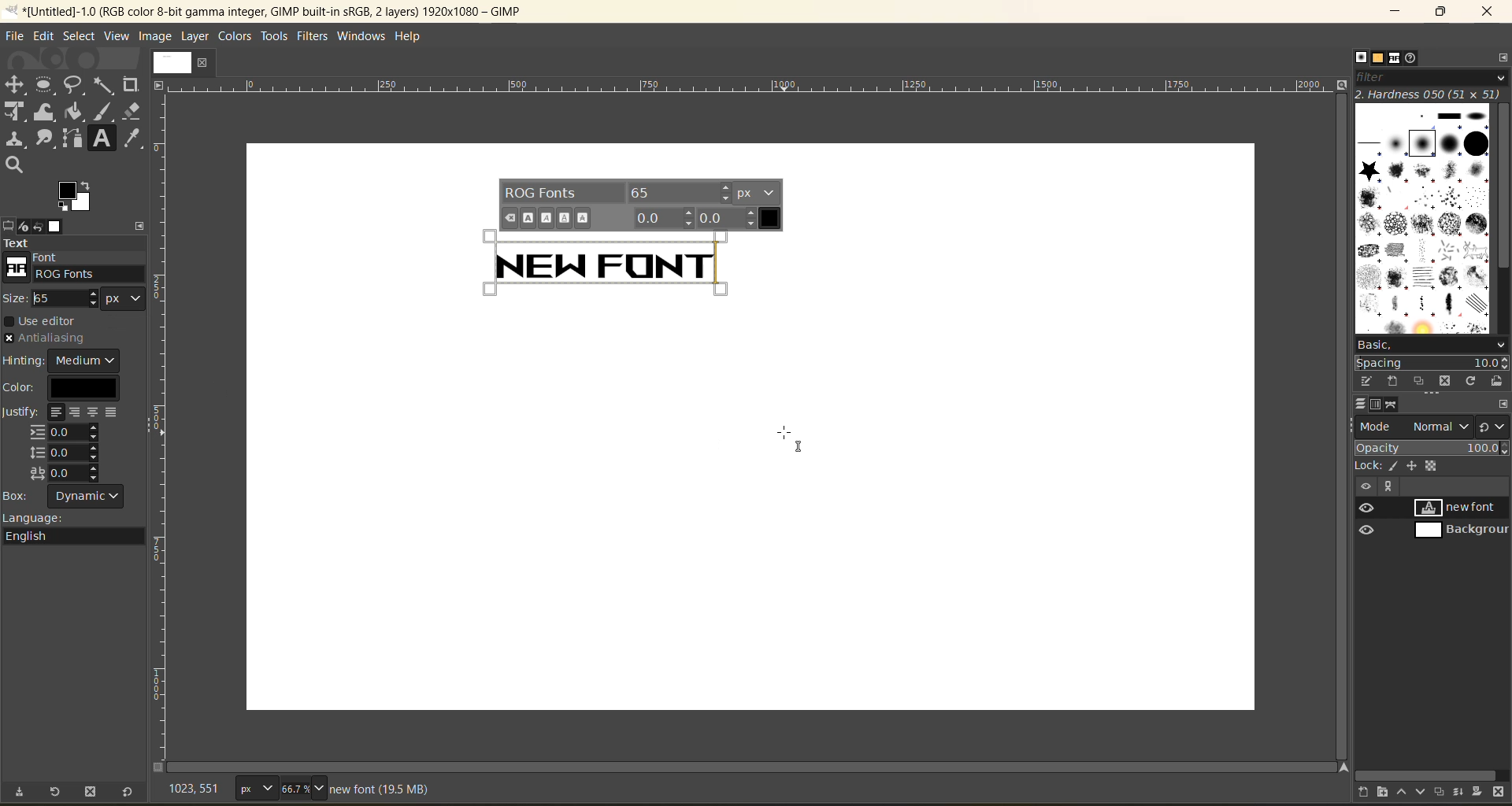 The image size is (1512, 806). Describe the element at coordinates (609, 263) in the screenshot. I see `text with new font and size` at that location.